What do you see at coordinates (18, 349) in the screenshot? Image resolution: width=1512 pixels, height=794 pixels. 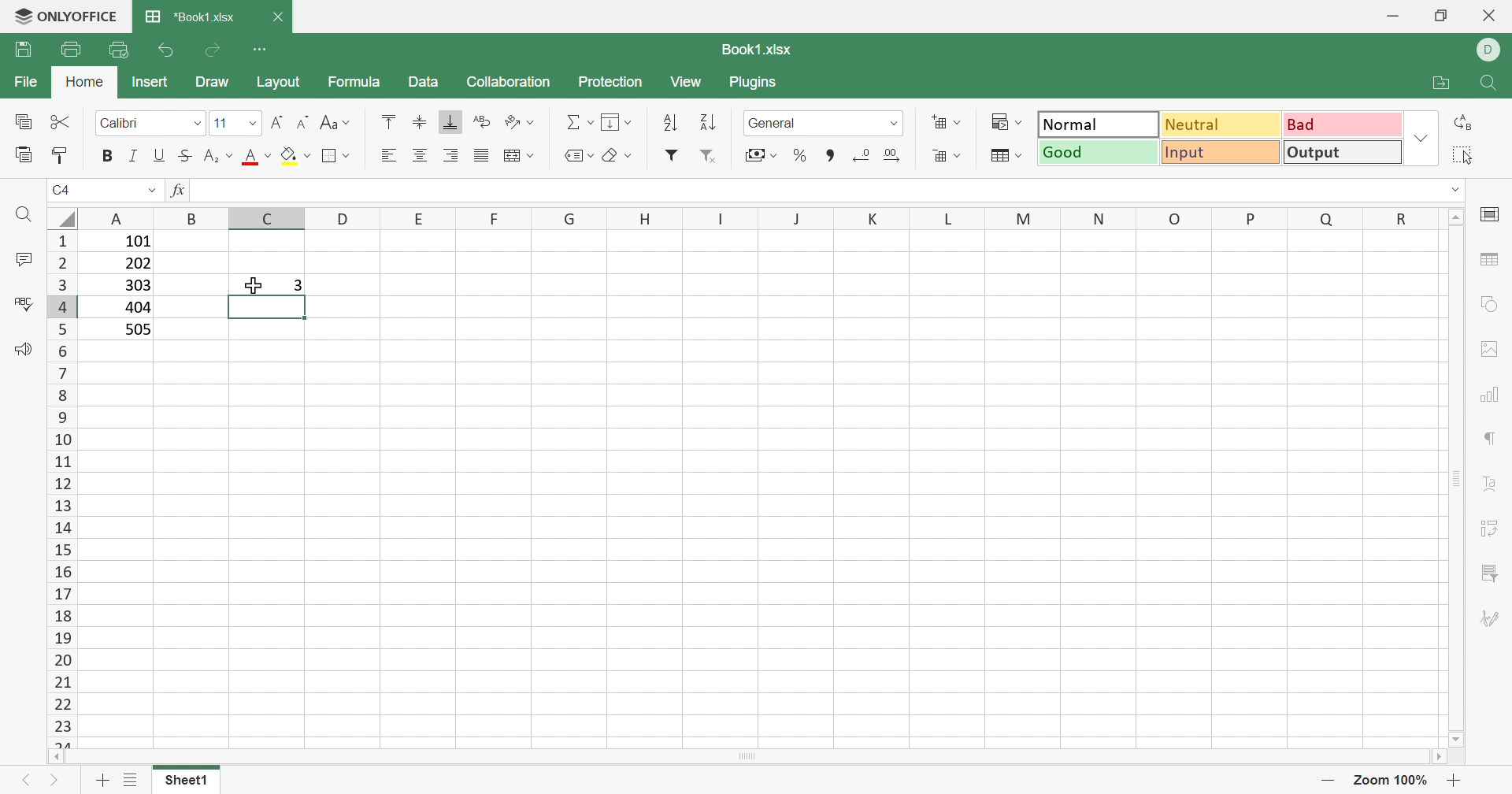 I see `Feedback and support` at bounding box center [18, 349].